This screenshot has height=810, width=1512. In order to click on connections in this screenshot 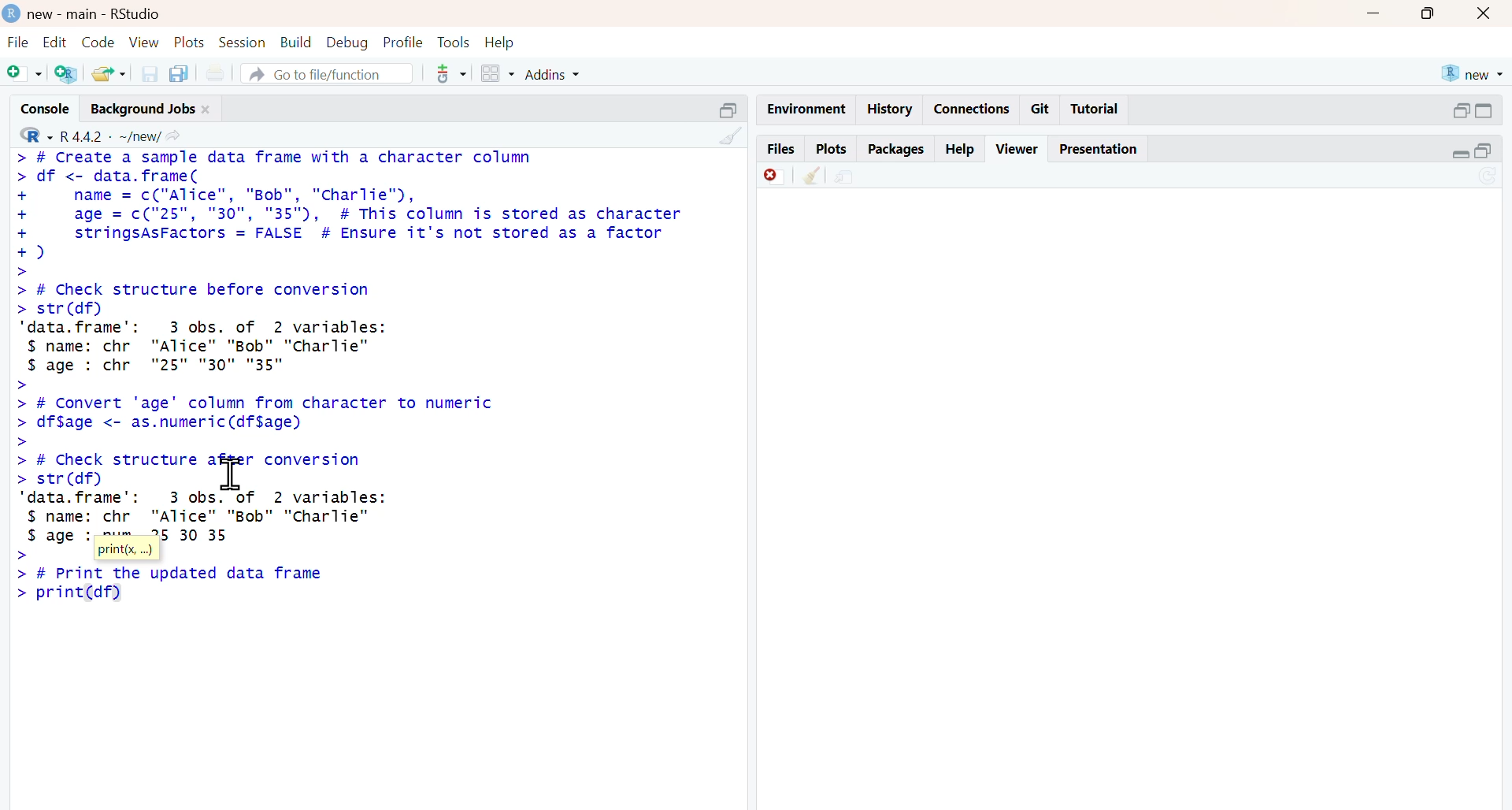, I will do `click(973, 109)`.